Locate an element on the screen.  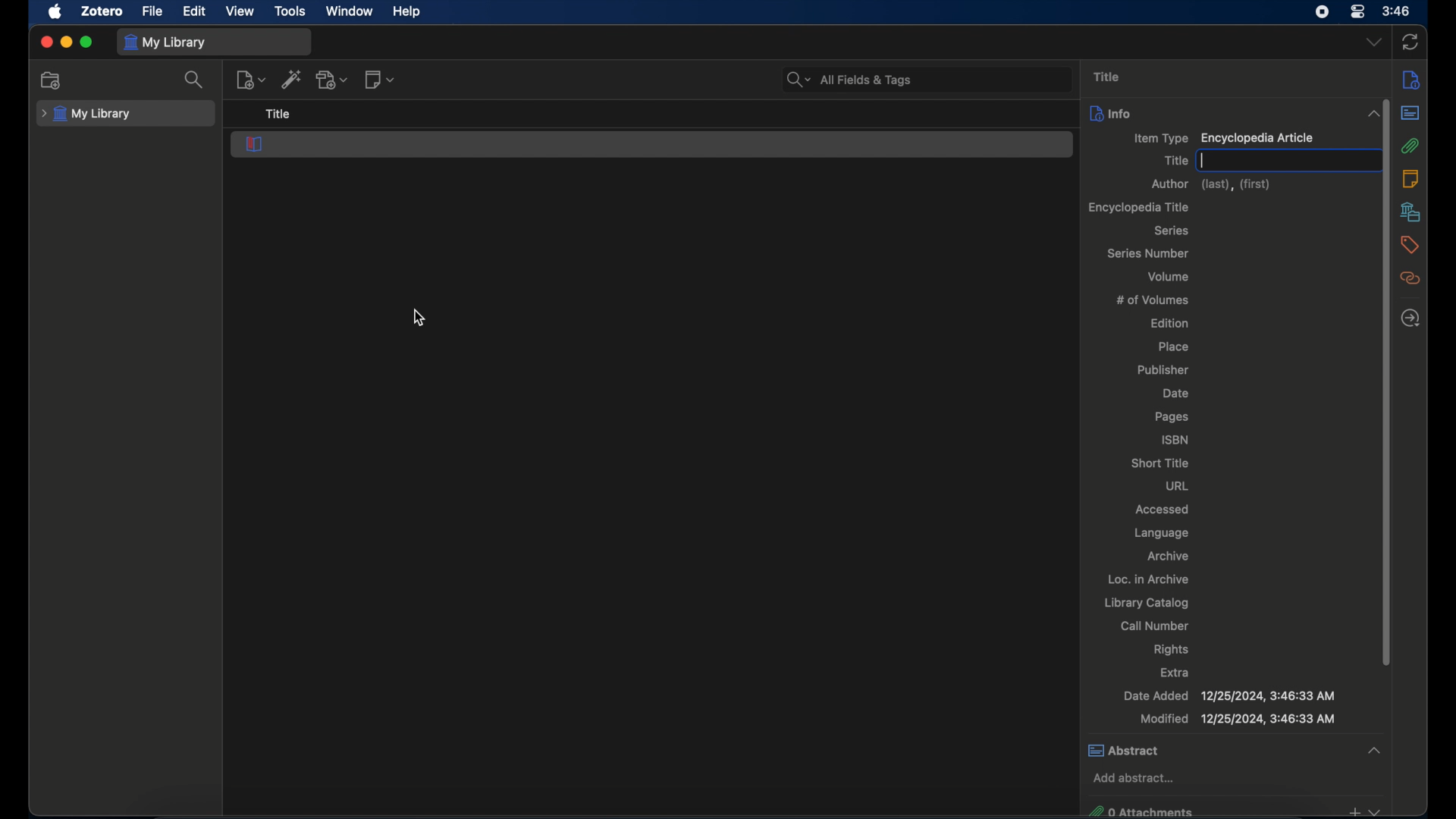
title is located at coordinates (1175, 160).